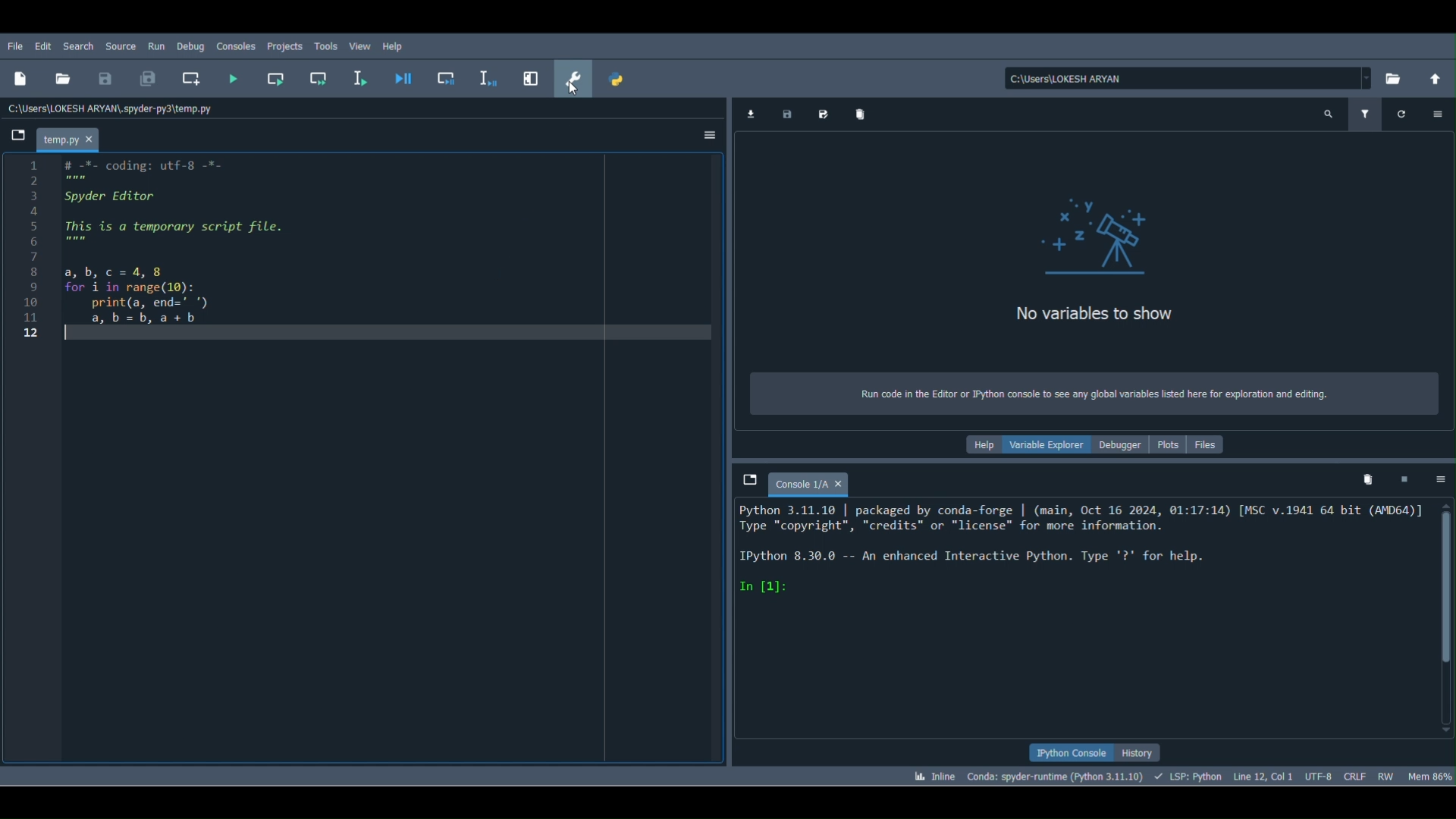 The image size is (1456, 819). I want to click on Source, so click(121, 45).